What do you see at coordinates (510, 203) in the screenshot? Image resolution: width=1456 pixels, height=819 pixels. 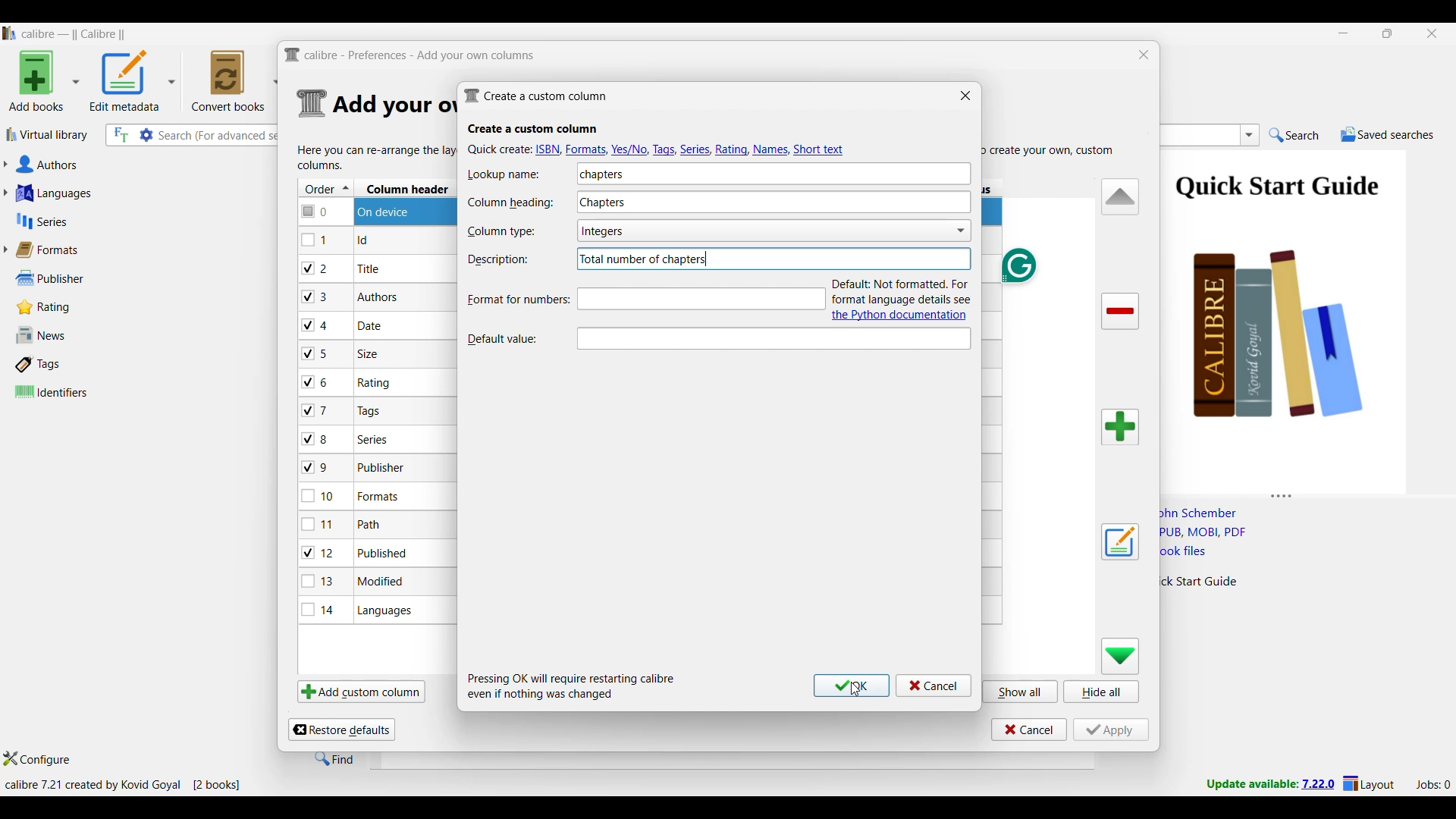 I see `Indicates Column heading text box` at bounding box center [510, 203].